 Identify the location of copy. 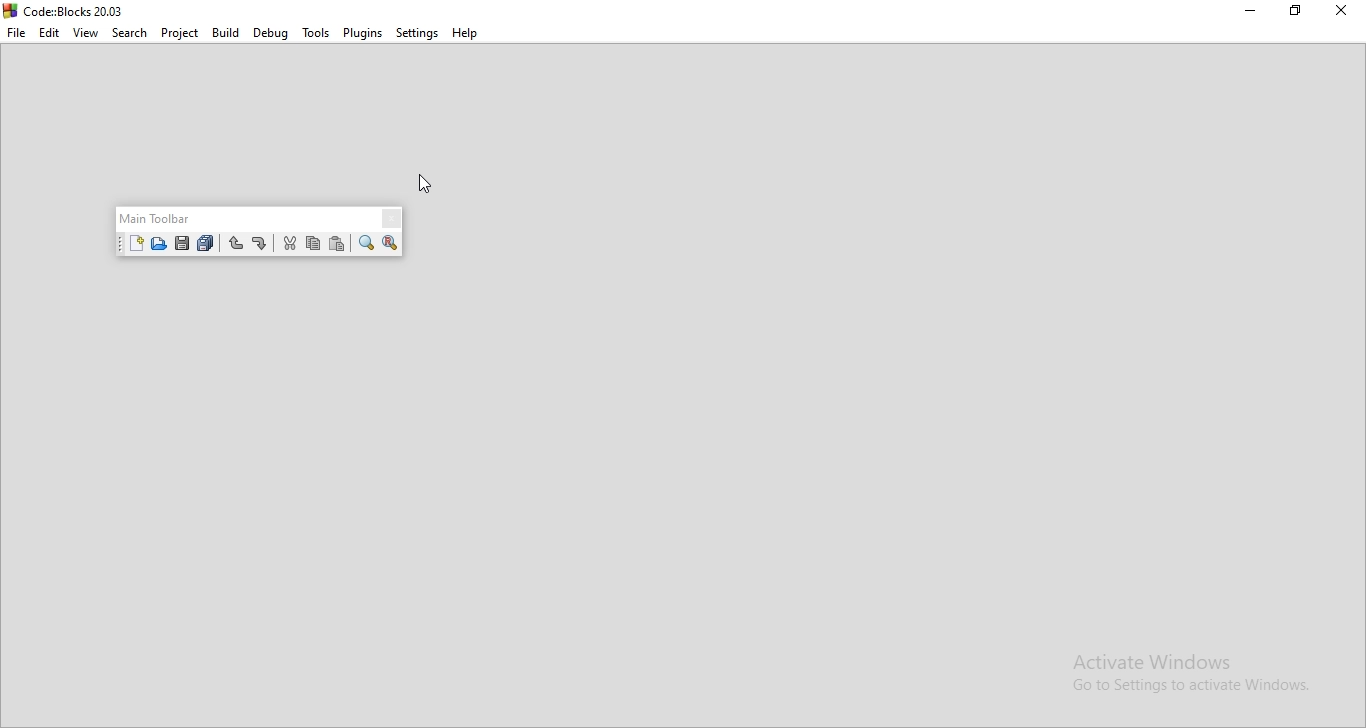
(312, 245).